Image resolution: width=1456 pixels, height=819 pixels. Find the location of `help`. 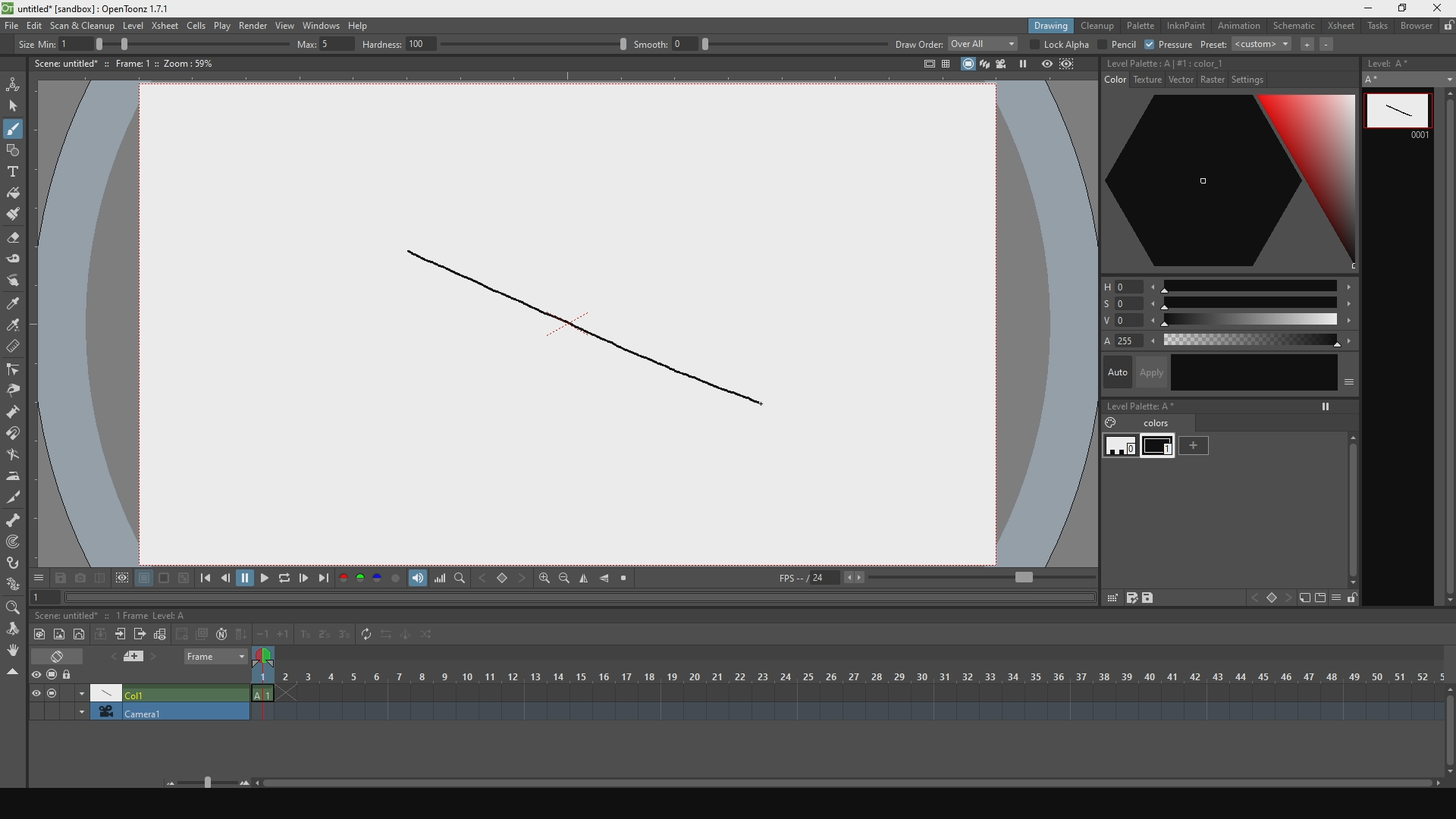

help is located at coordinates (364, 23).